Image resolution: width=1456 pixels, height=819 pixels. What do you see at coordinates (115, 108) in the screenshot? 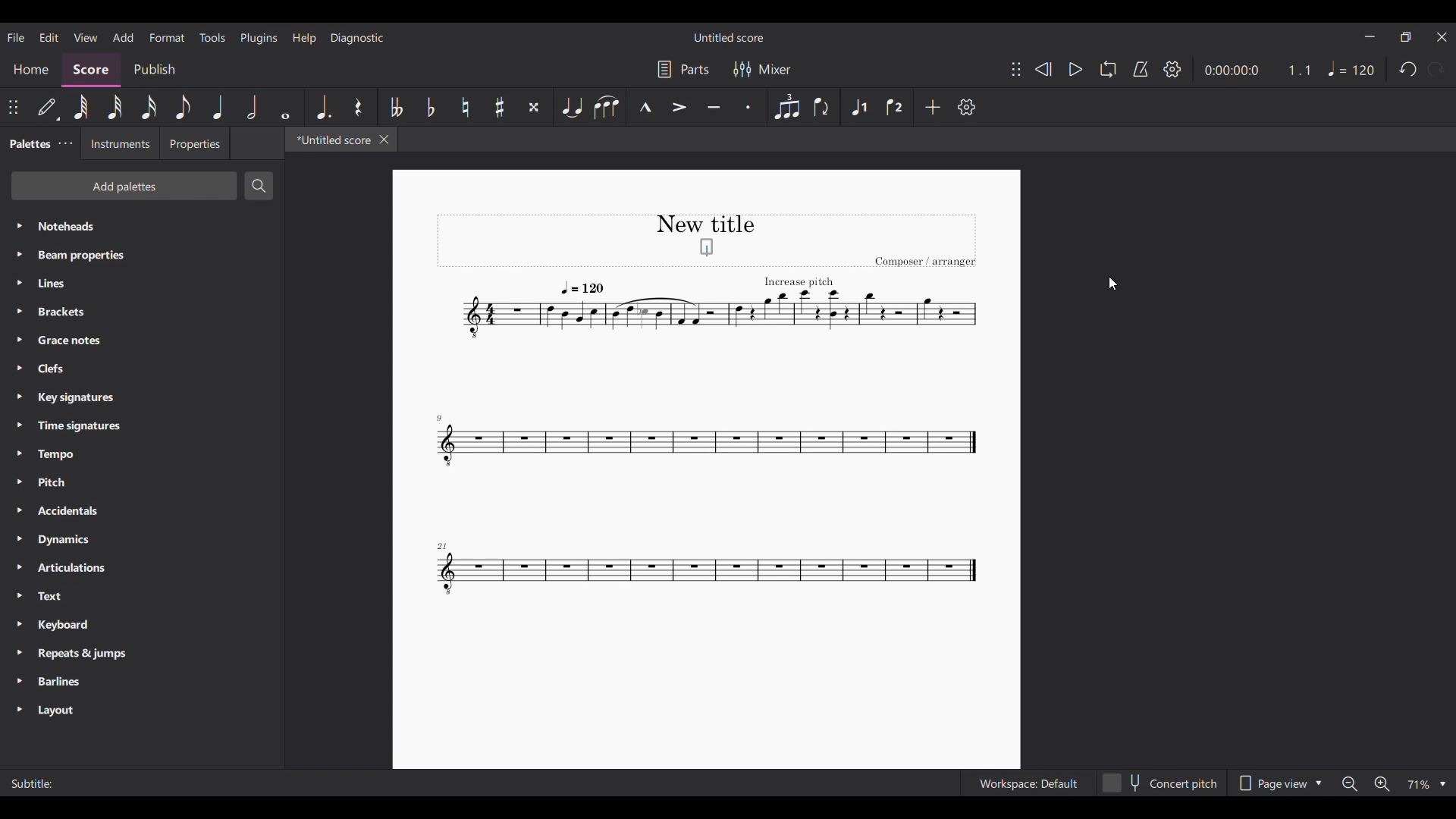
I see `32nd note` at bounding box center [115, 108].